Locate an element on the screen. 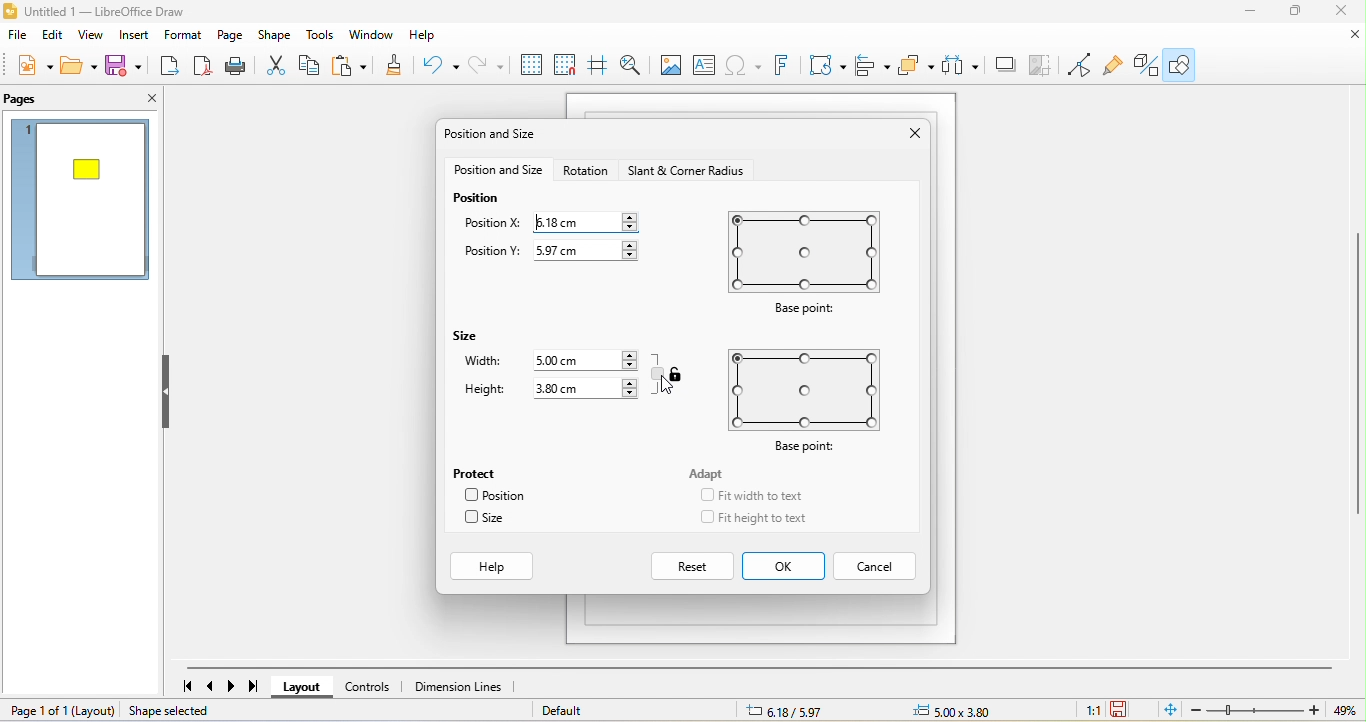 The width and height of the screenshot is (1366, 722). cursor movement is located at coordinates (670, 387).